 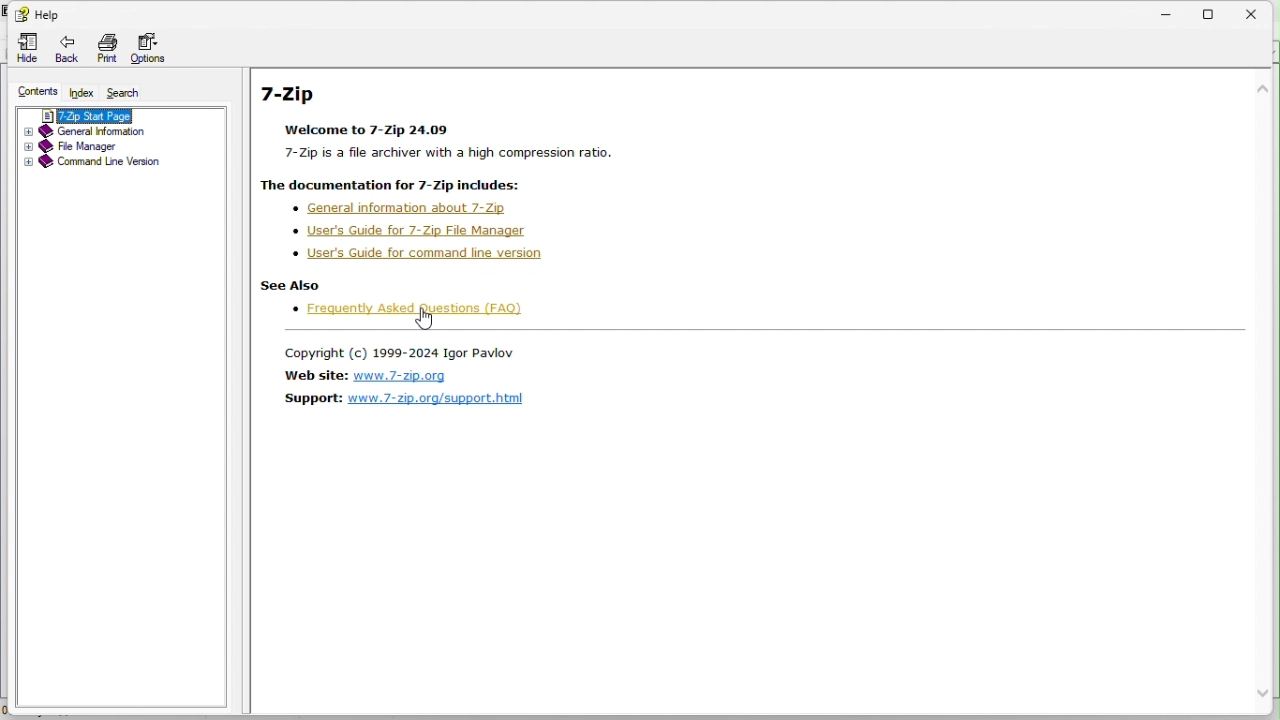 What do you see at coordinates (427, 320) in the screenshot?
I see `cursor` at bounding box center [427, 320].